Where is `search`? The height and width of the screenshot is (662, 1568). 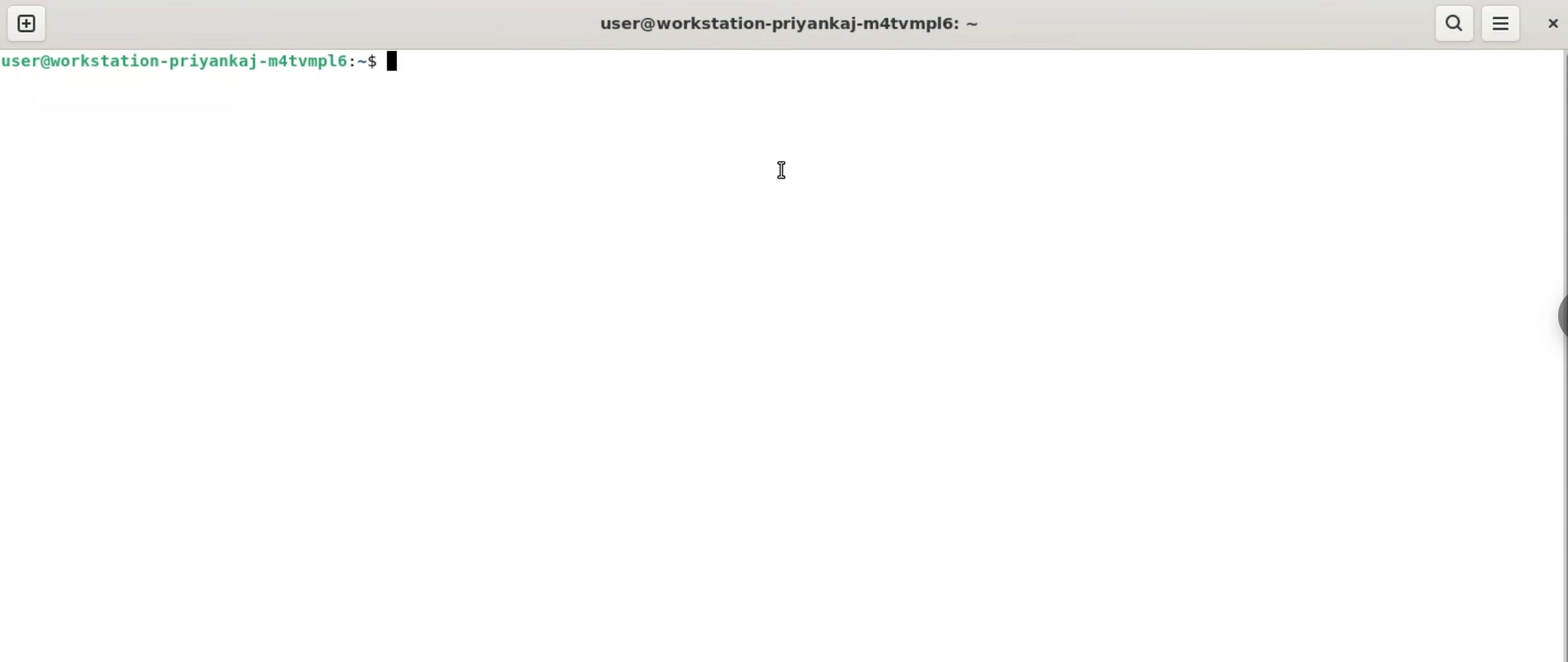
search is located at coordinates (1455, 25).